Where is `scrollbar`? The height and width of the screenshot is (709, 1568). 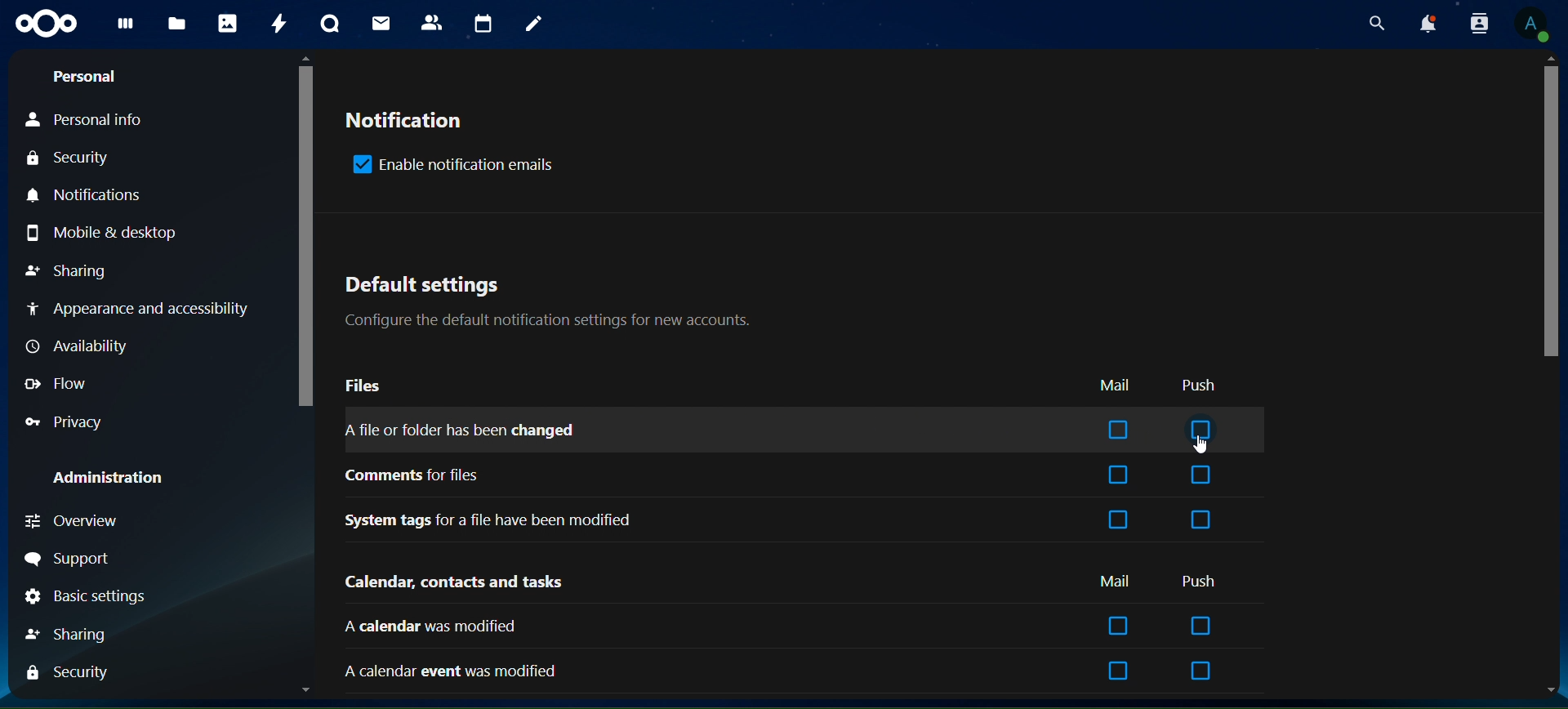 scrollbar is located at coordinates (307, 238).